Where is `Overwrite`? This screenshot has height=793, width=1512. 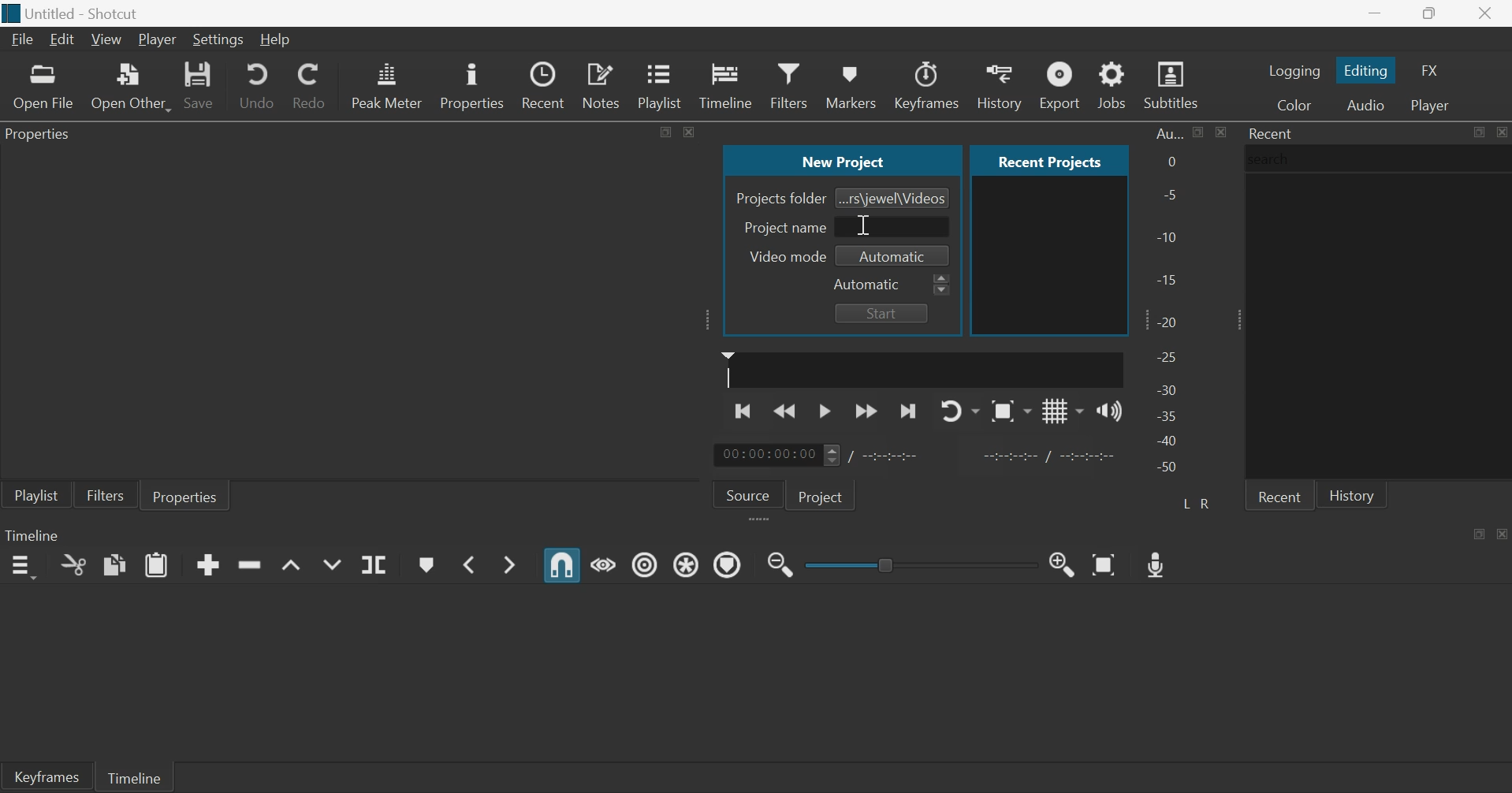
Overwrite is located at coordinates (331, 564).